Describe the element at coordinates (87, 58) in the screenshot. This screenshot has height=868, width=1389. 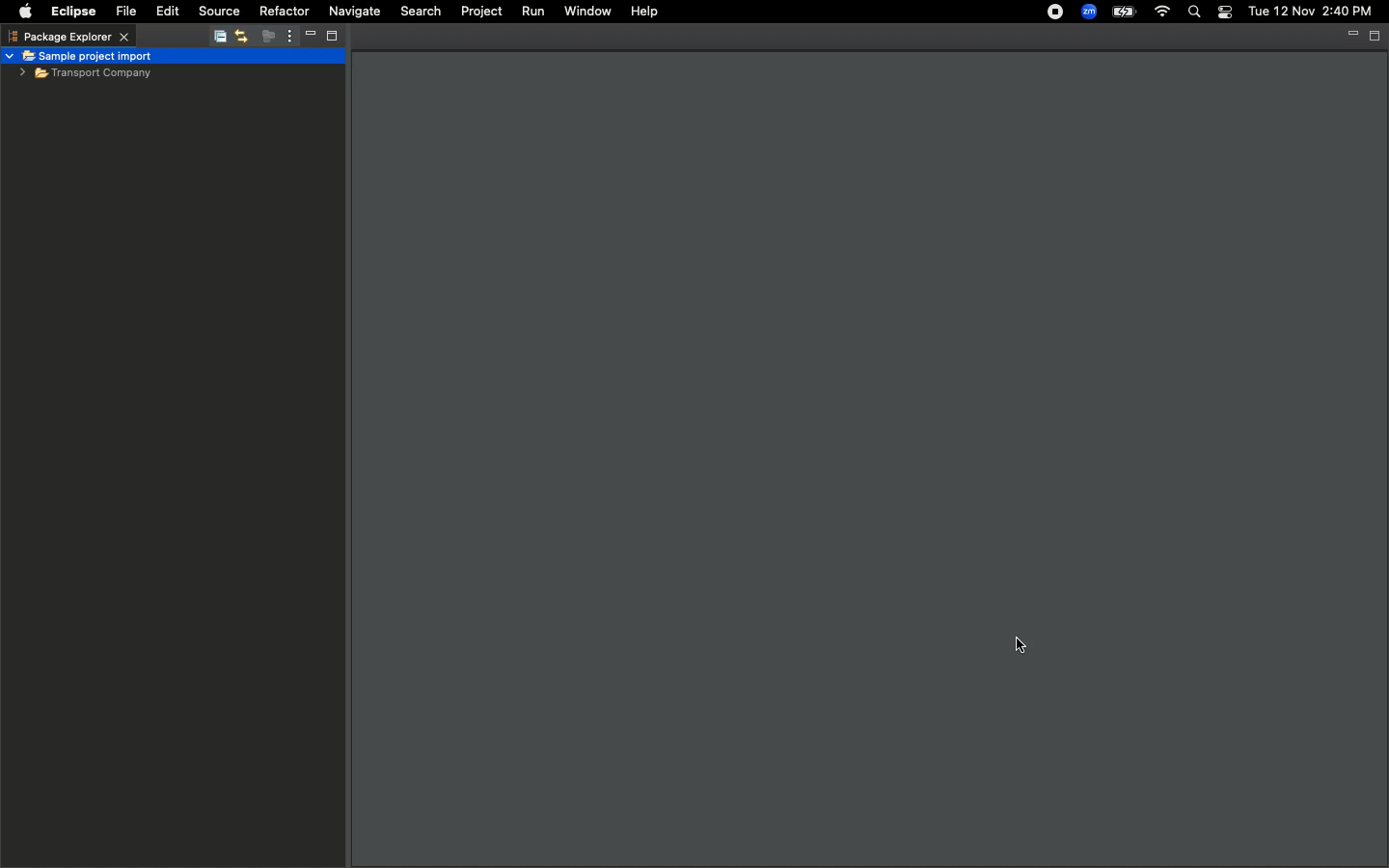
I see `Sample project import` at that location.